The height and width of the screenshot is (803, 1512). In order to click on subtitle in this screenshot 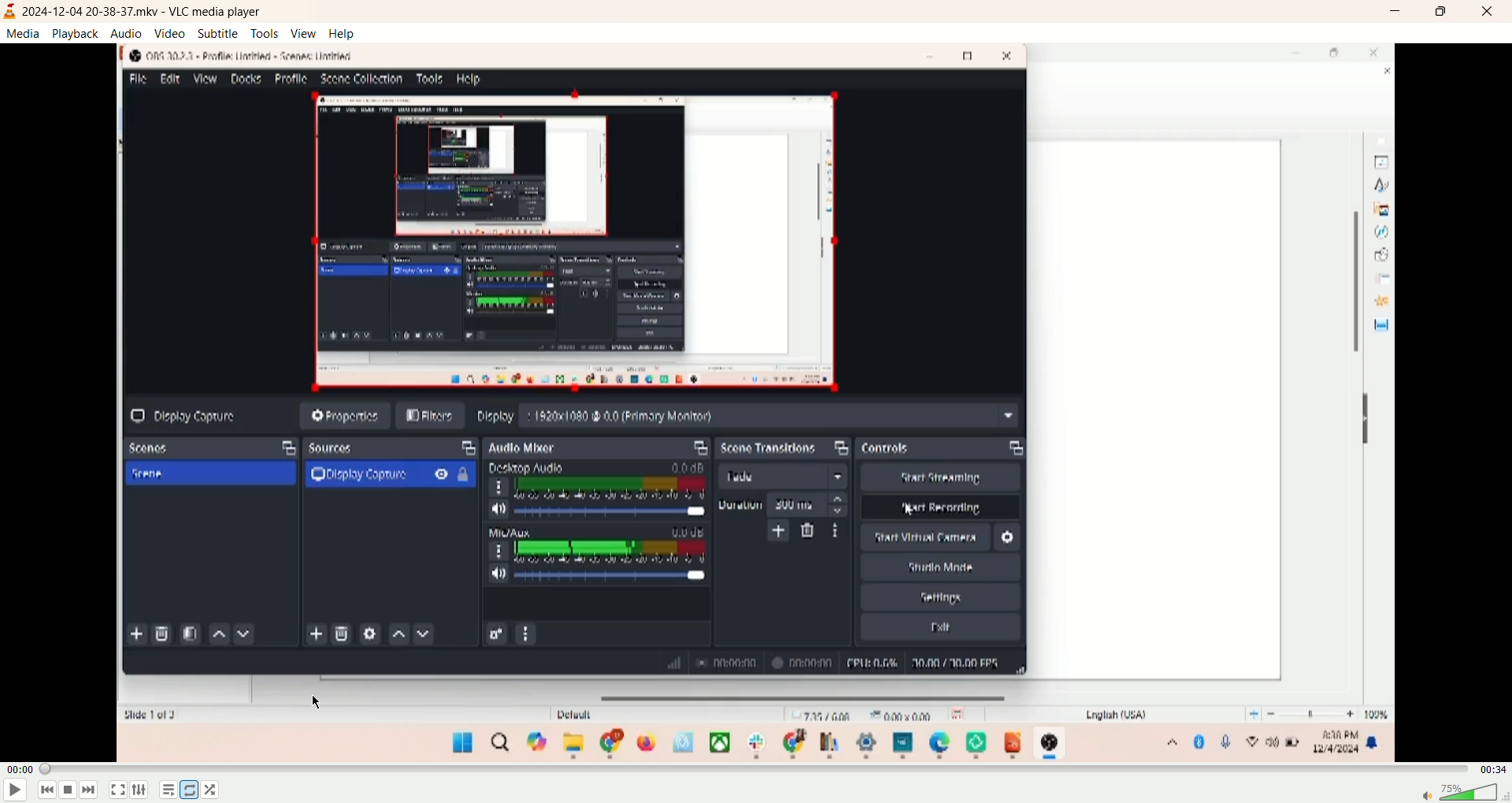, I will do `click(218, 34)`.